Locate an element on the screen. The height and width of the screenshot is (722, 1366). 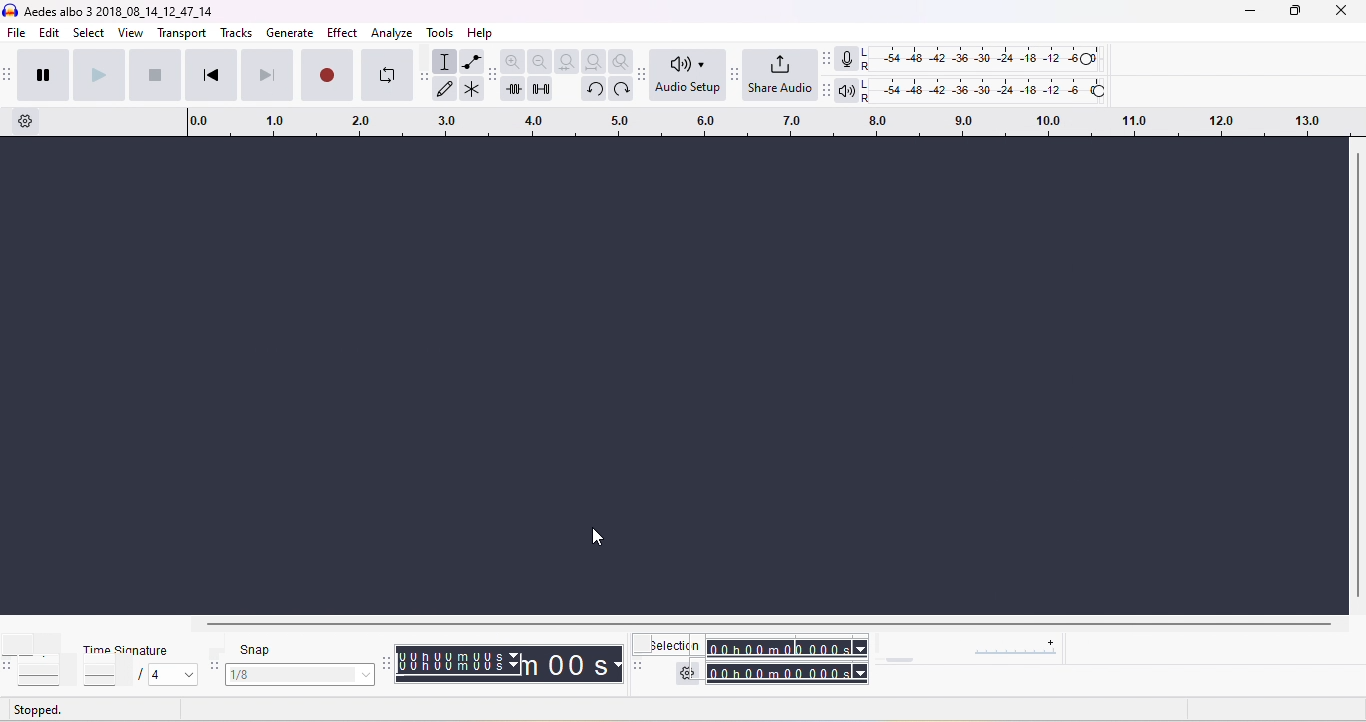
help is located at coordinates (480, 32).